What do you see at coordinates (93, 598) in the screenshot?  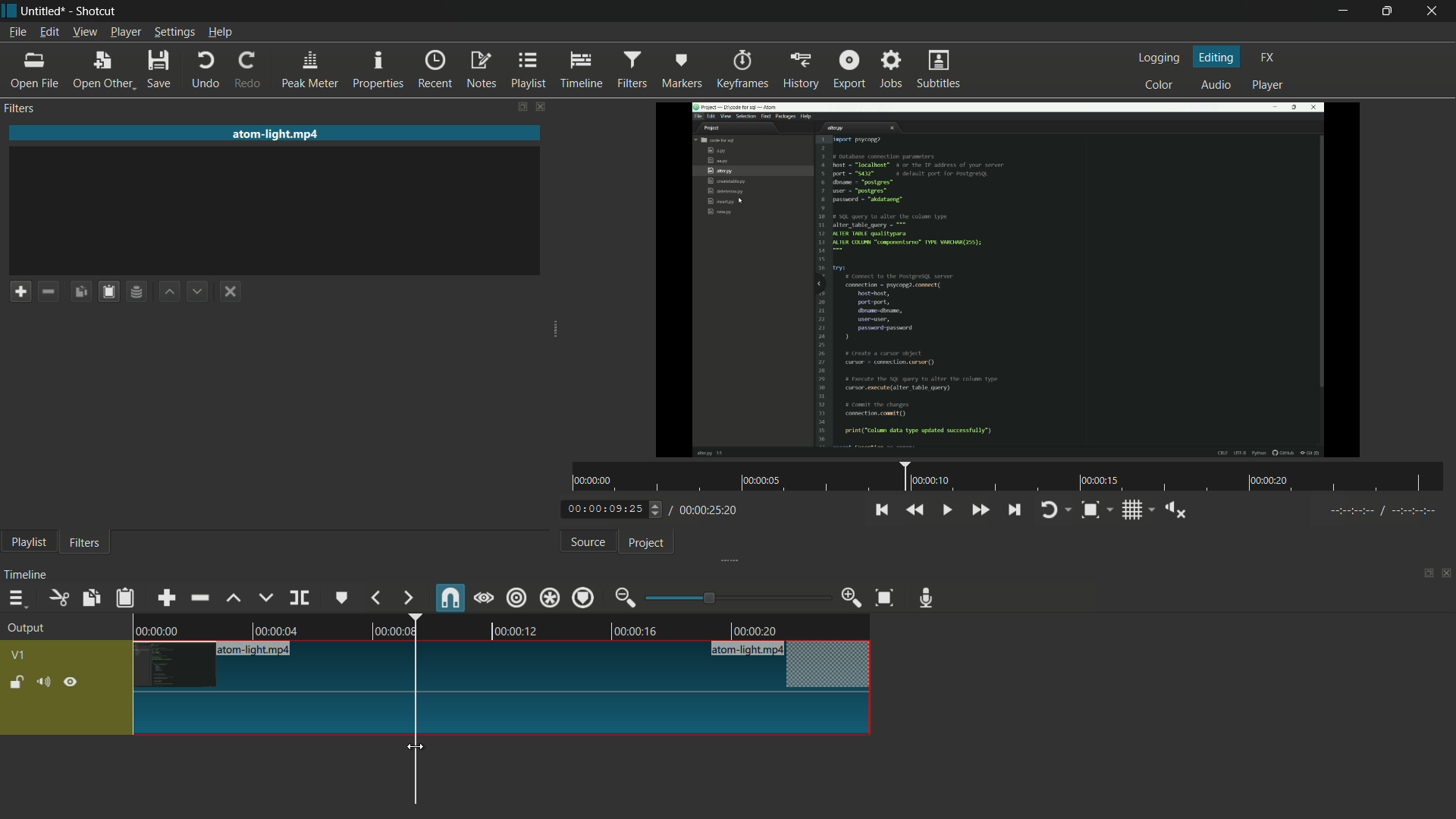 I see `copy checked filters` at bounding box center [93, 598].